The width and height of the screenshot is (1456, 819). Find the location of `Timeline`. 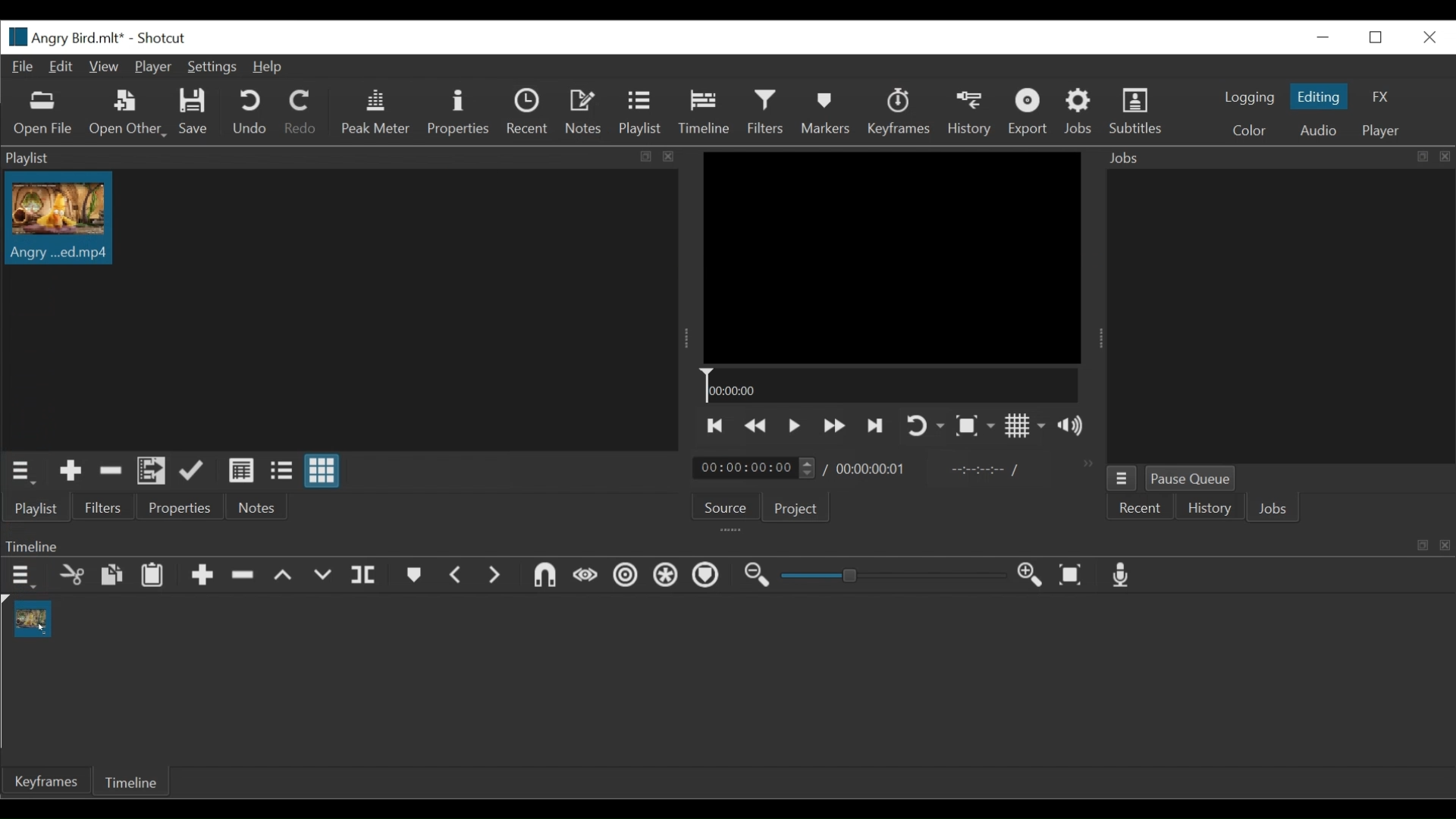

Timeline is located at coordinates (890, 384).